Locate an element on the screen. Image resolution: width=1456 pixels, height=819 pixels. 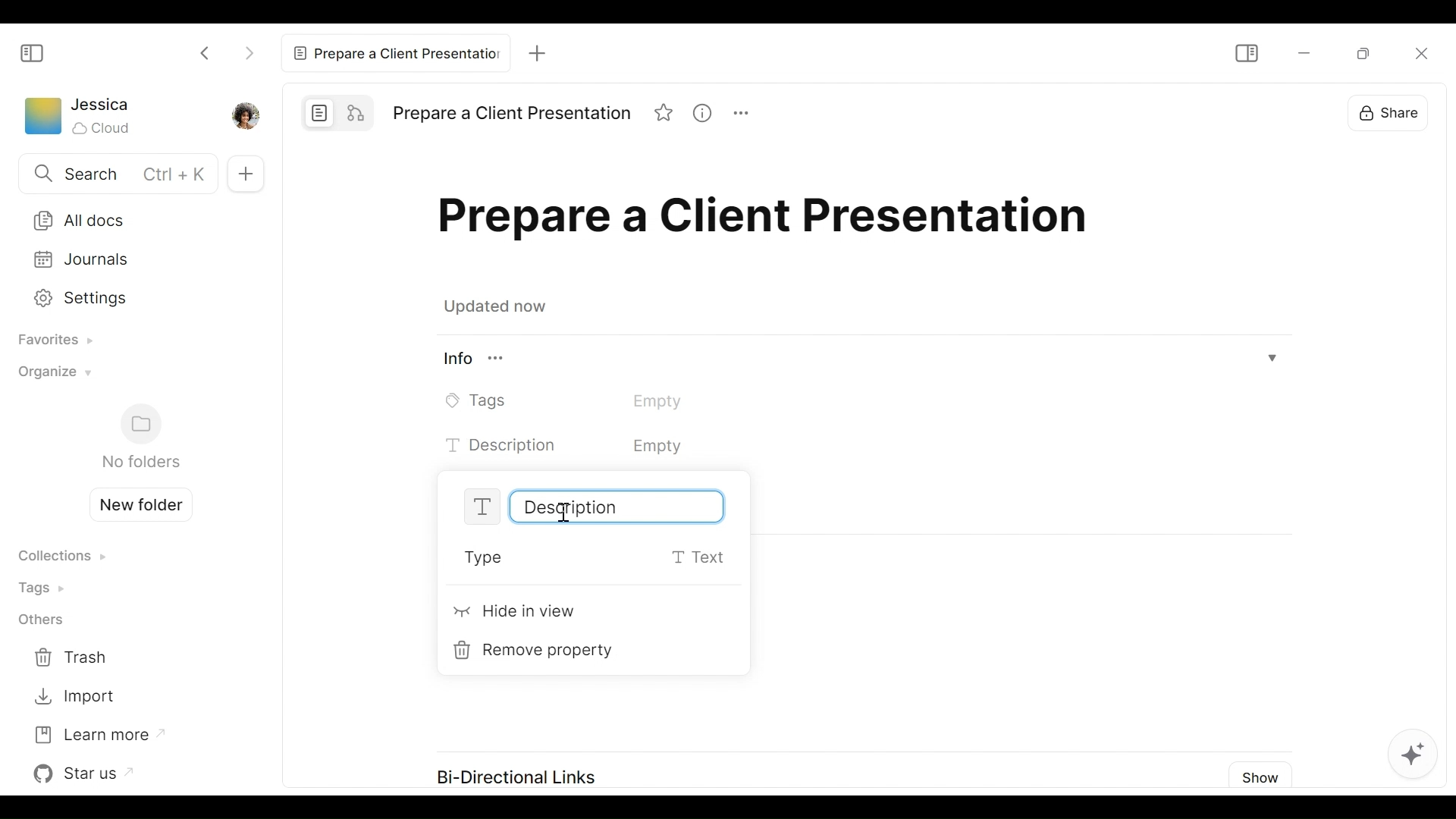
Current tab is located at coordinates (394, 52).